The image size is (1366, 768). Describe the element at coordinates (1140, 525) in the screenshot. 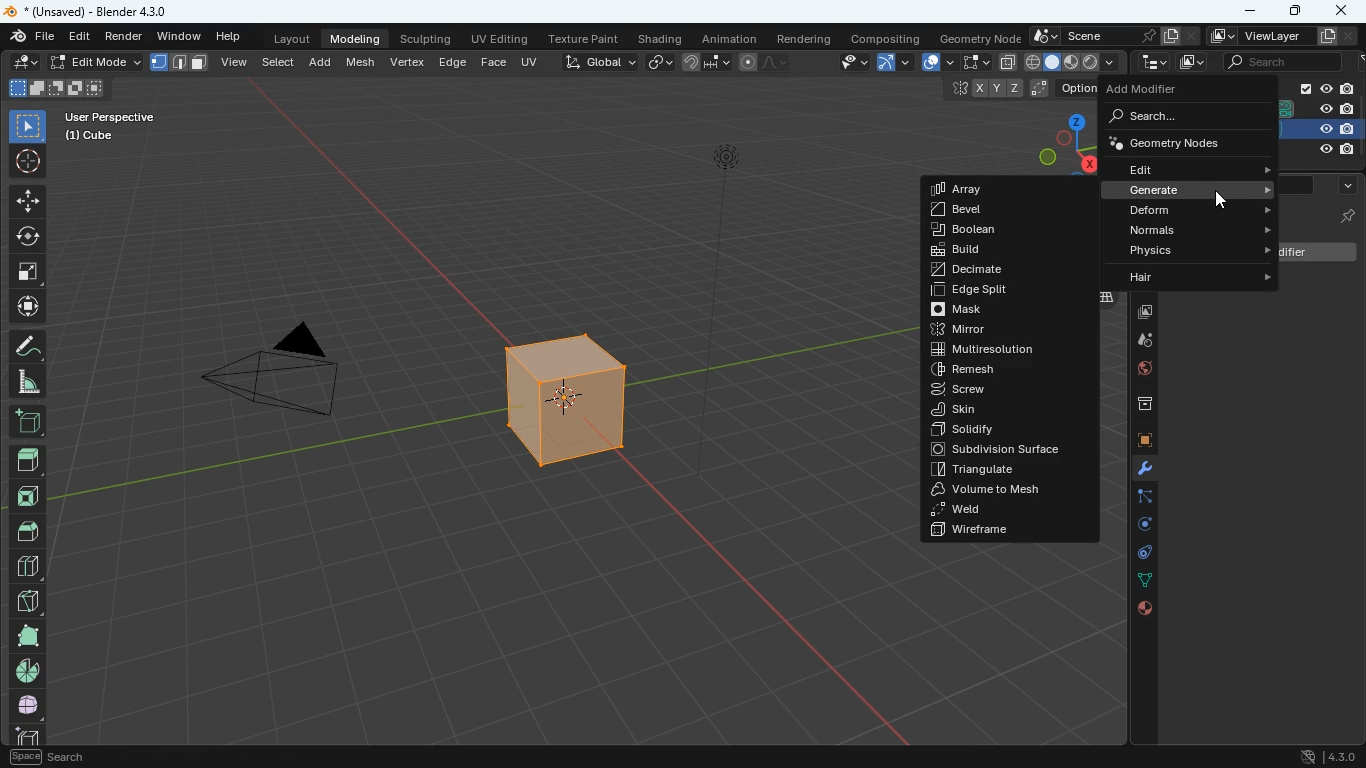

I see `rotation` at that location.